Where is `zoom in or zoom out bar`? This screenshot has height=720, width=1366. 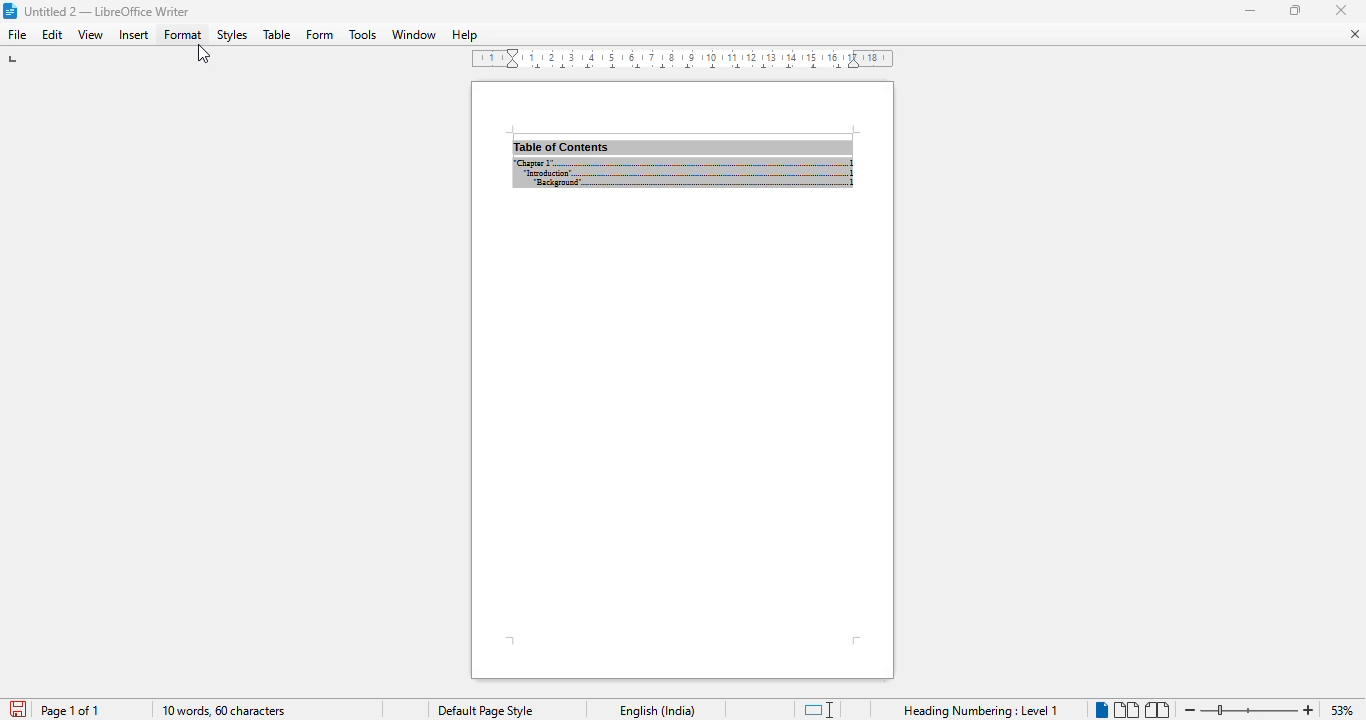 zoom in or zoom out bar is located at coordinates (1250, 709).